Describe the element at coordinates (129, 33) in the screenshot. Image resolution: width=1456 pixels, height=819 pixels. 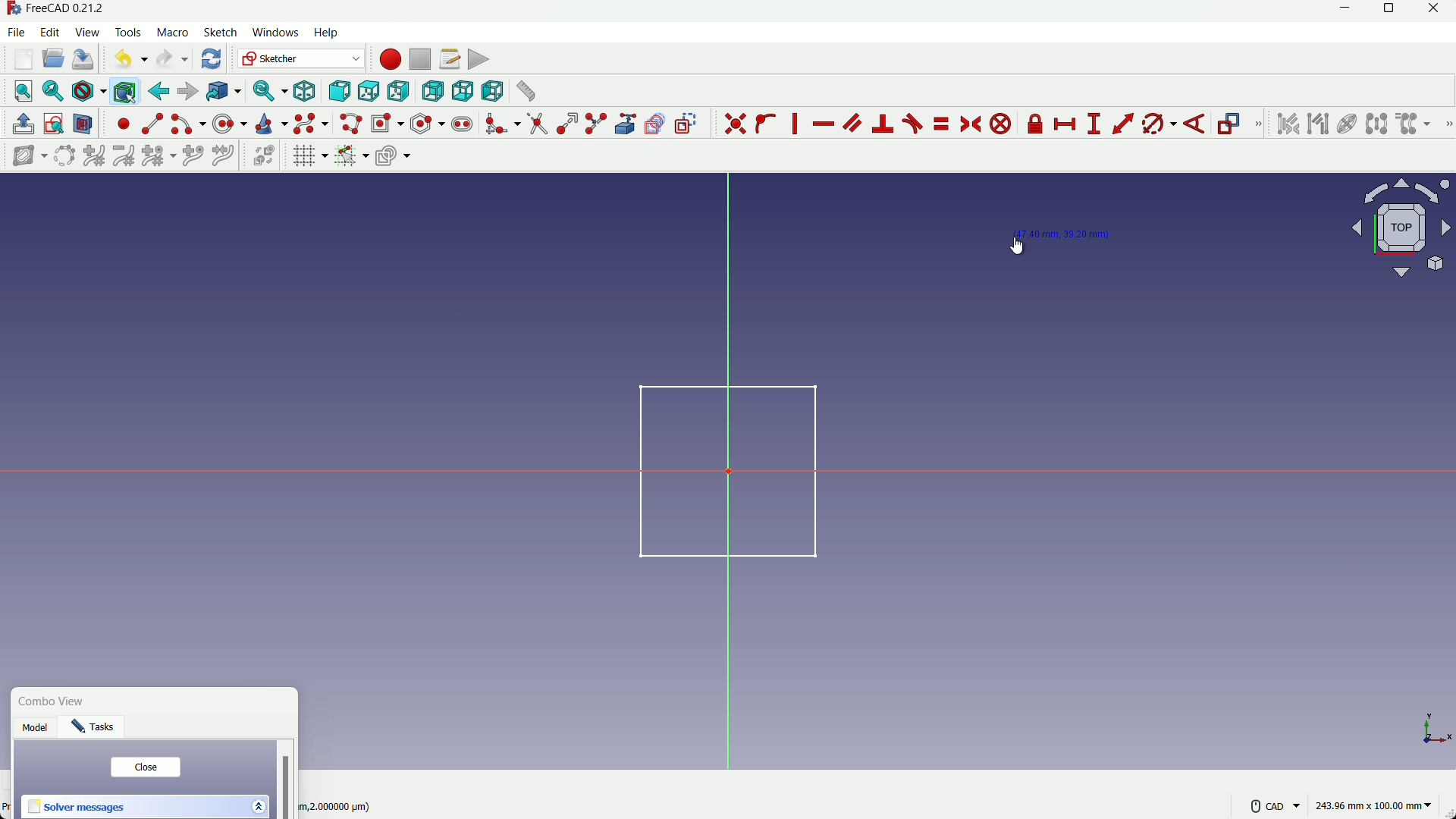
I see `tools menu` at that location.